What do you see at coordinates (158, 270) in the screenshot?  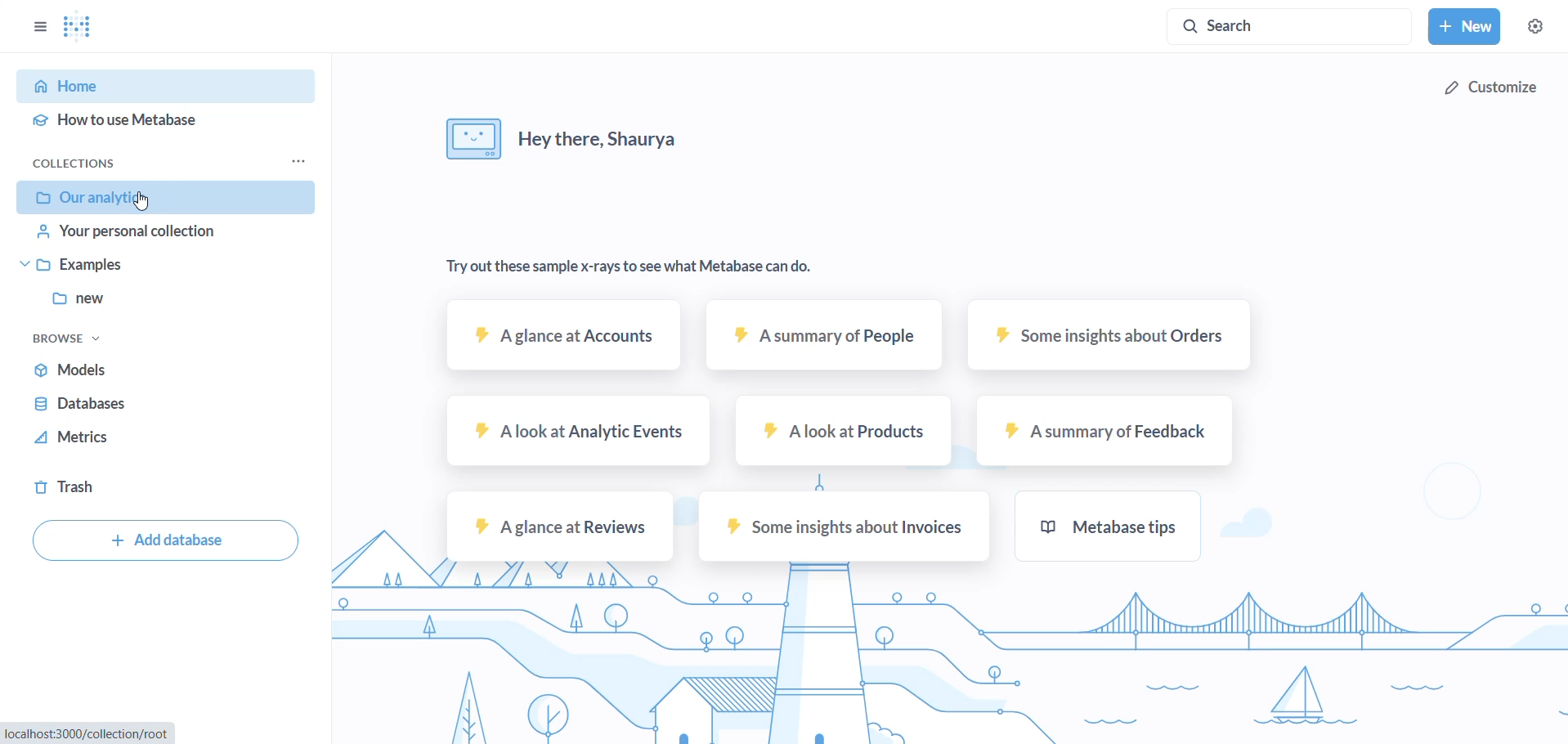 I see `examples` at bounding box center [158, 270].